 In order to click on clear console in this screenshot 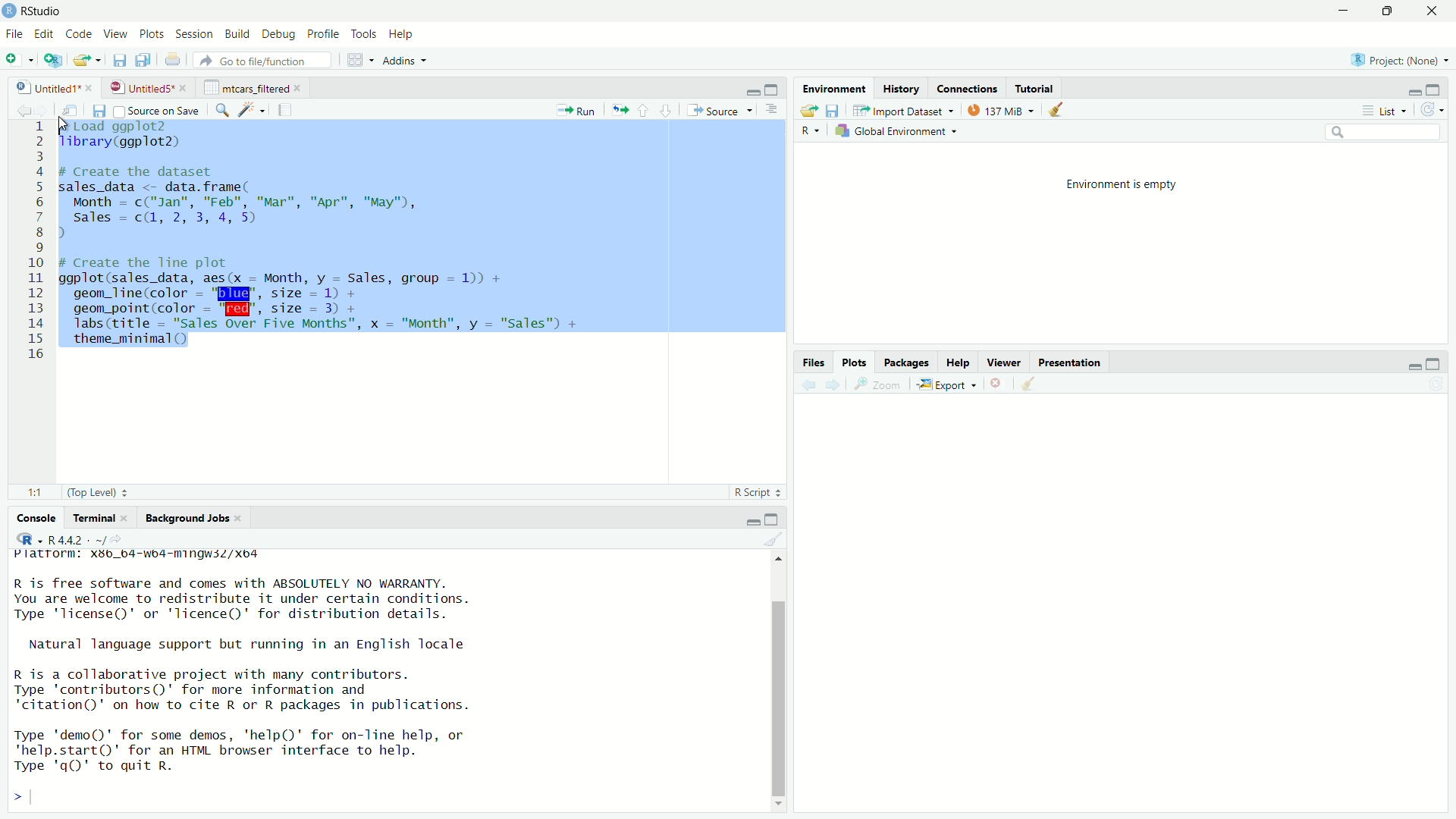, I will do `click(773, 539)`.